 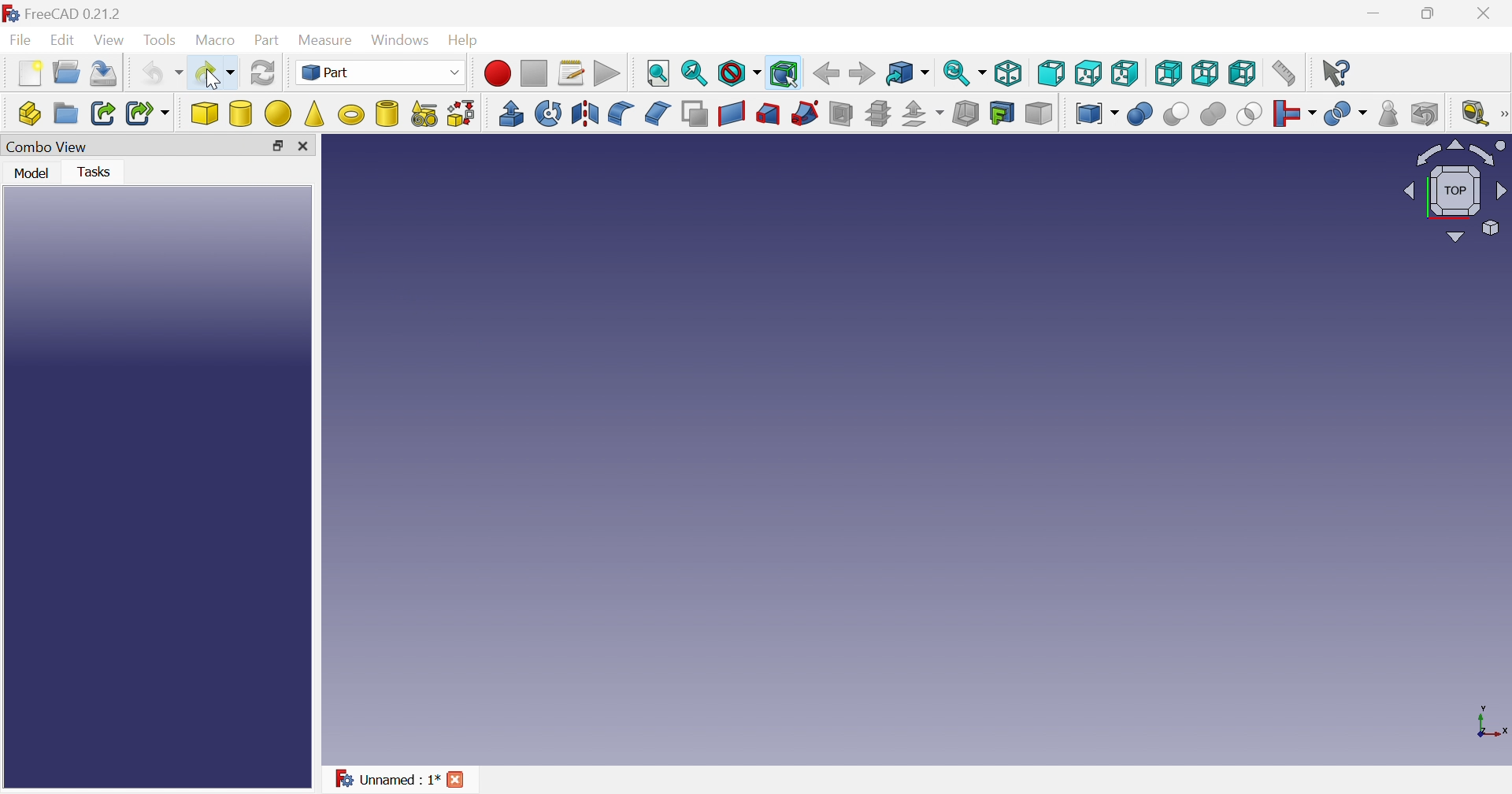 I want to click on Measure liner, so click(x=1473, y=113).